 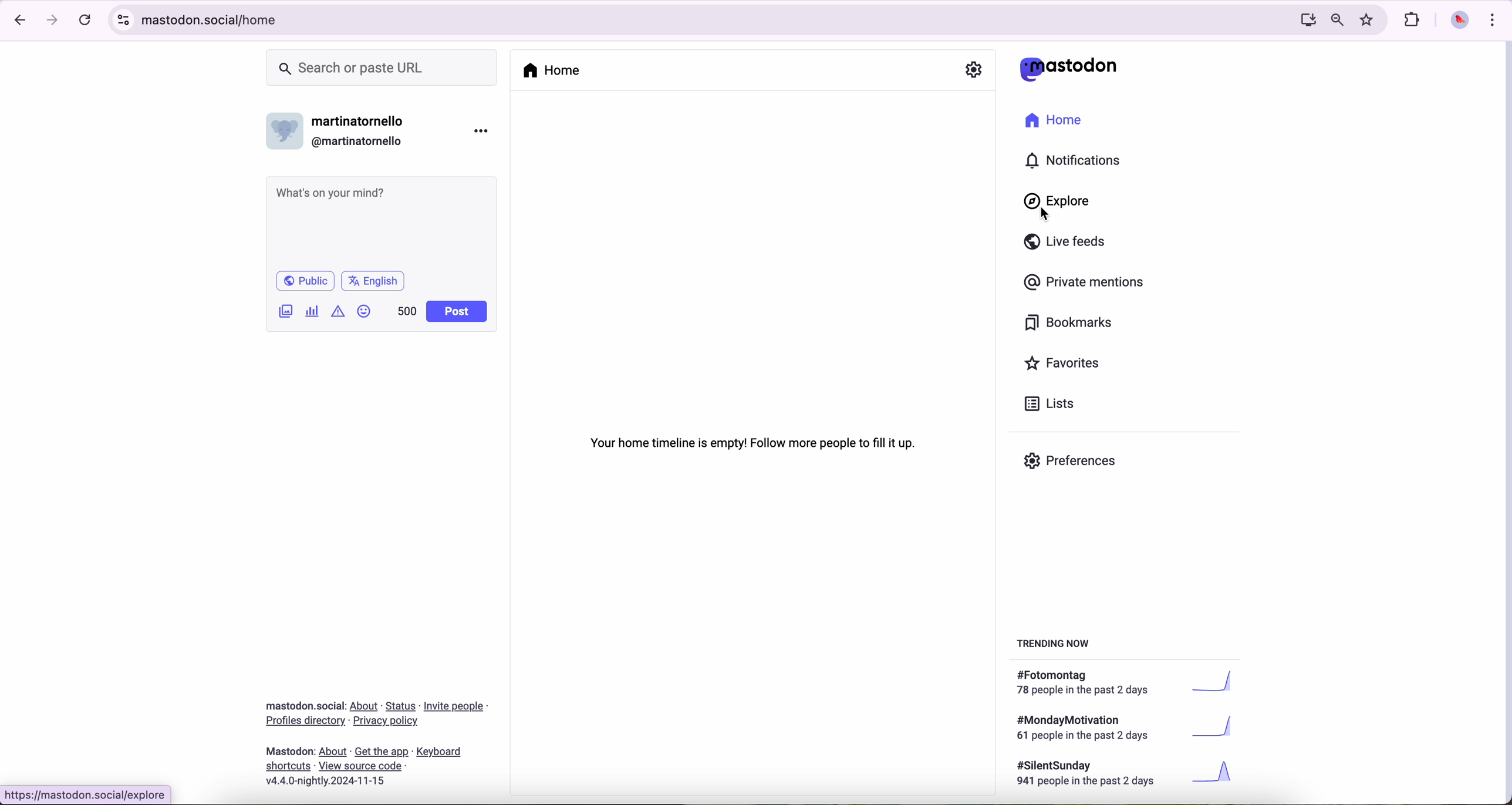 What do you see at coordinates (457, 312) in the screenshot?
I see `post button` at bounding box center [457, 312].